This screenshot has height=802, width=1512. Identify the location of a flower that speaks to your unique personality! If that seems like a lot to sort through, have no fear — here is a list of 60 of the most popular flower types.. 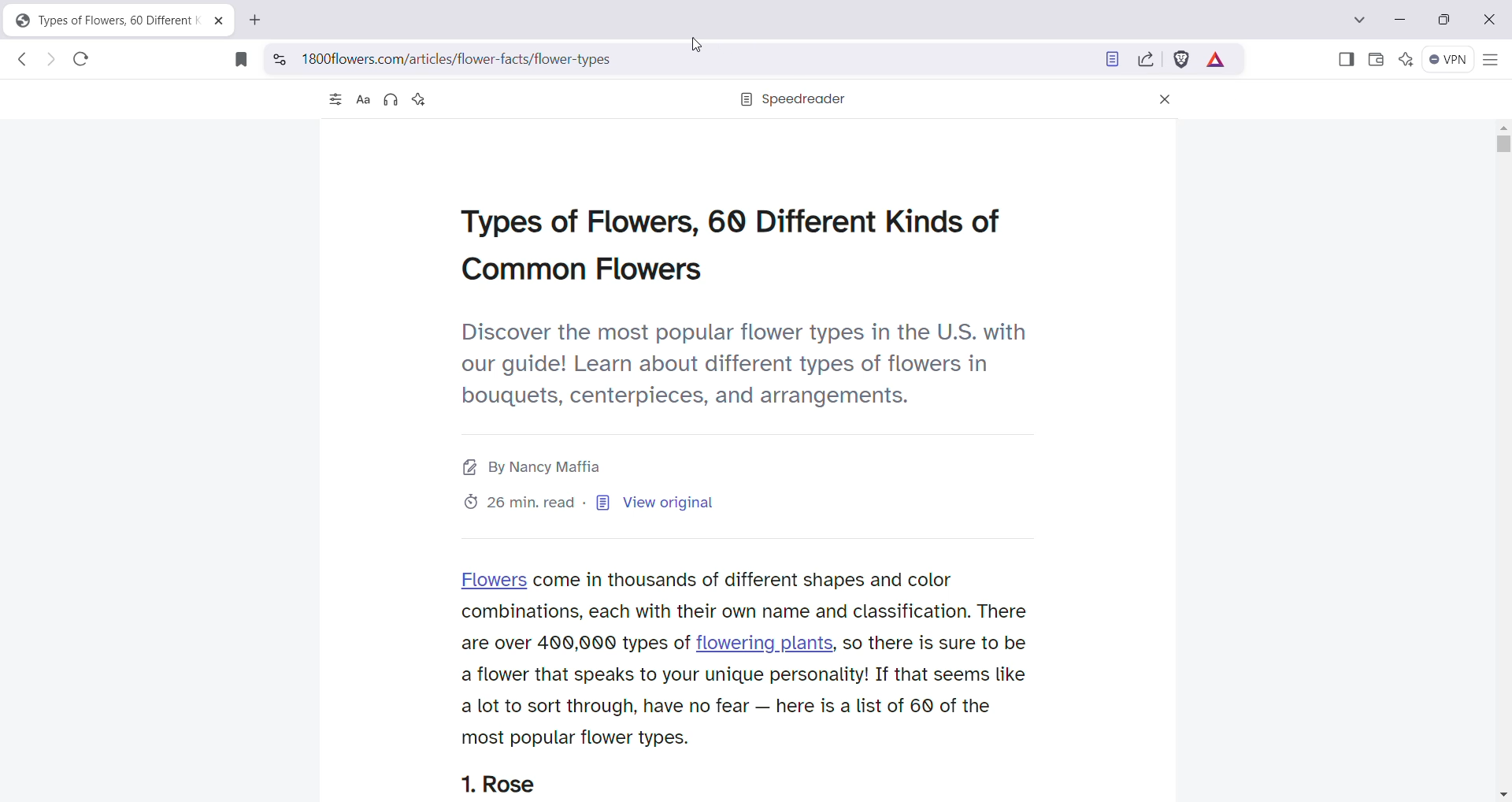
(745, 707).